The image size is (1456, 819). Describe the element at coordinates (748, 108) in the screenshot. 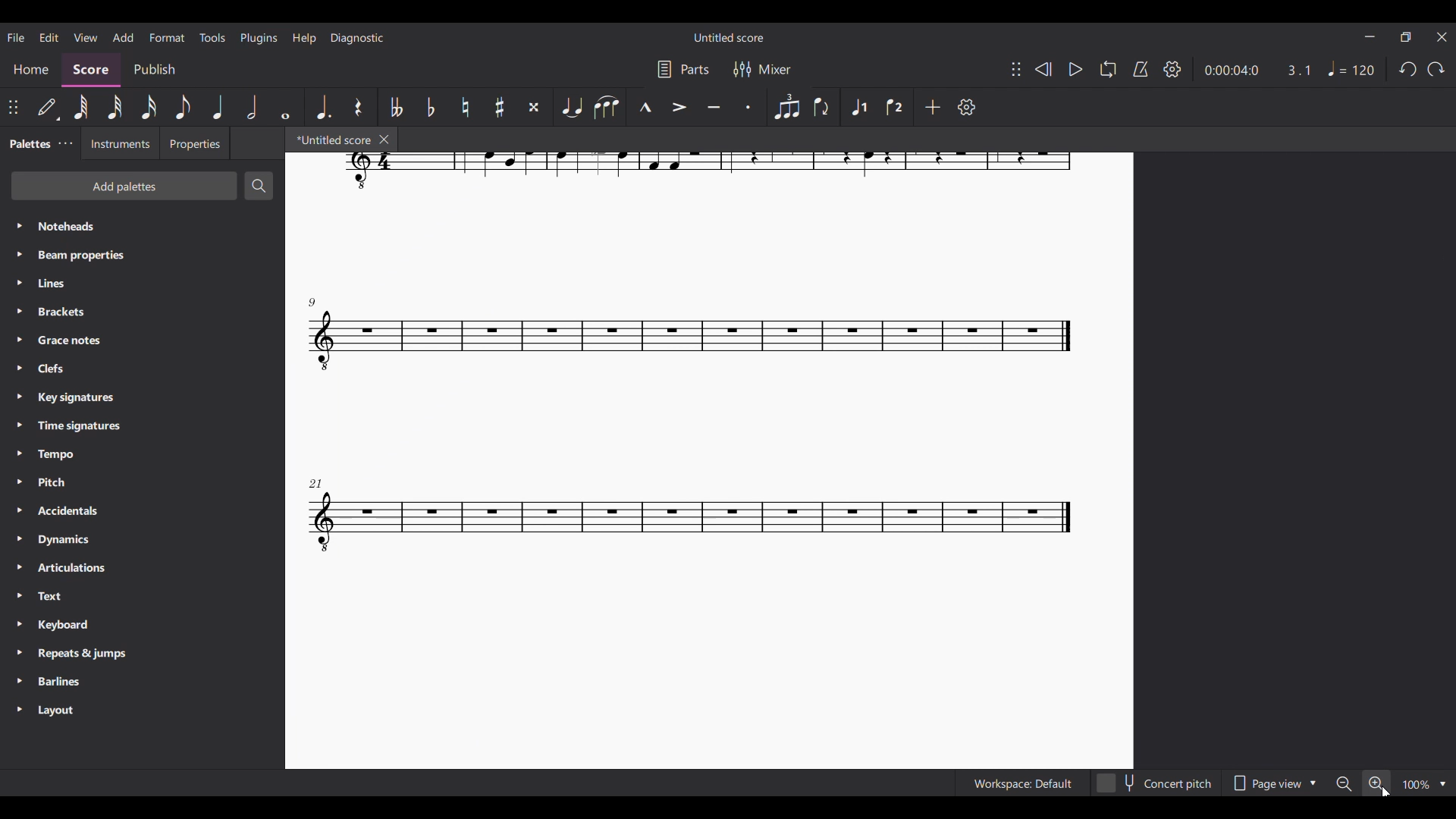

I see `Staccato` at that location.